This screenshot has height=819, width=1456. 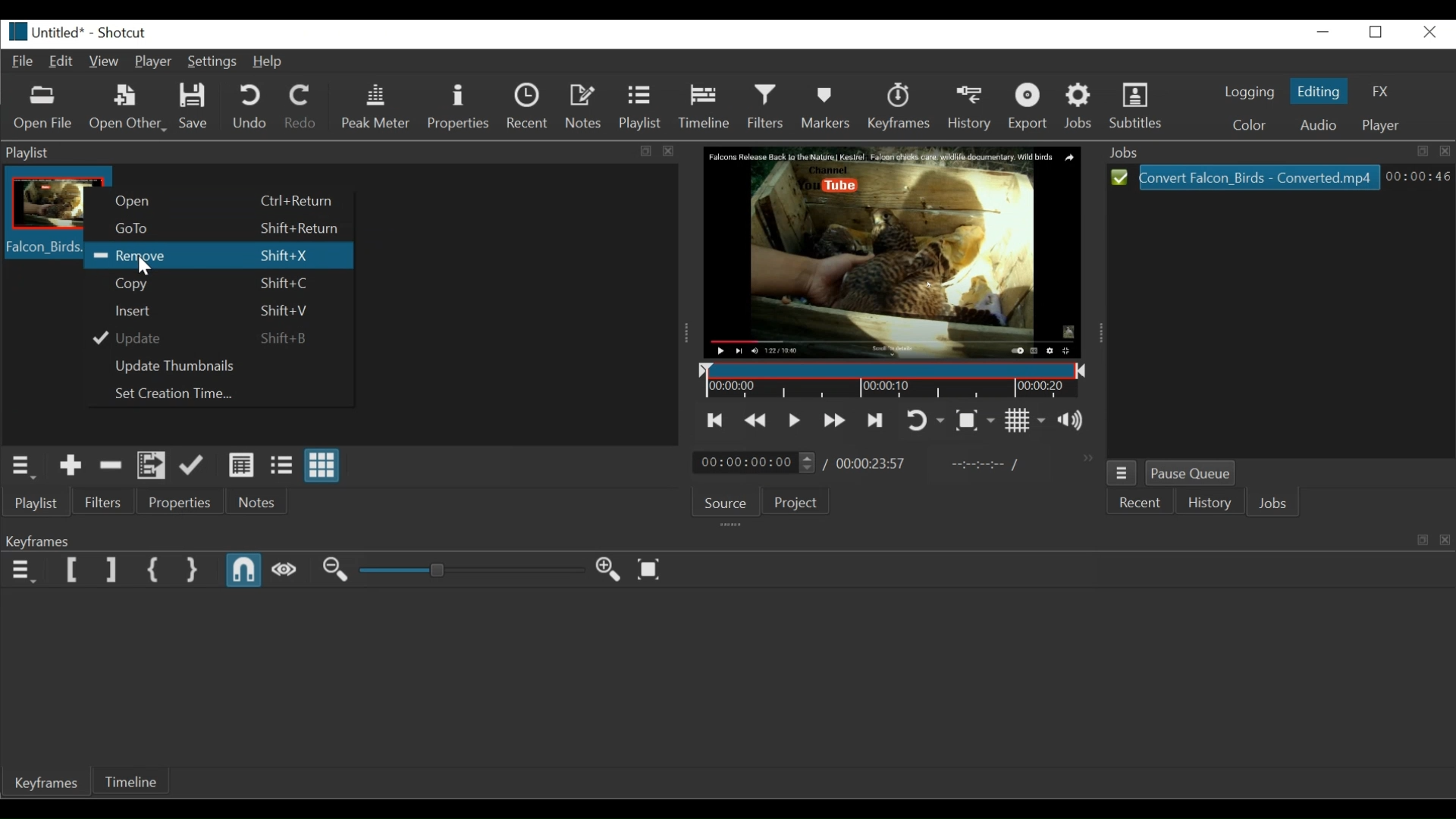 What do you see at coordinates (899, 249) in the screenshot?
I see `Falcon Release Back to the Nature | Kestrel. Falcon chicks care wildlife documentary. Wild Birds. Channel. You tube (Media Player)` at bounding box center [899, 249].